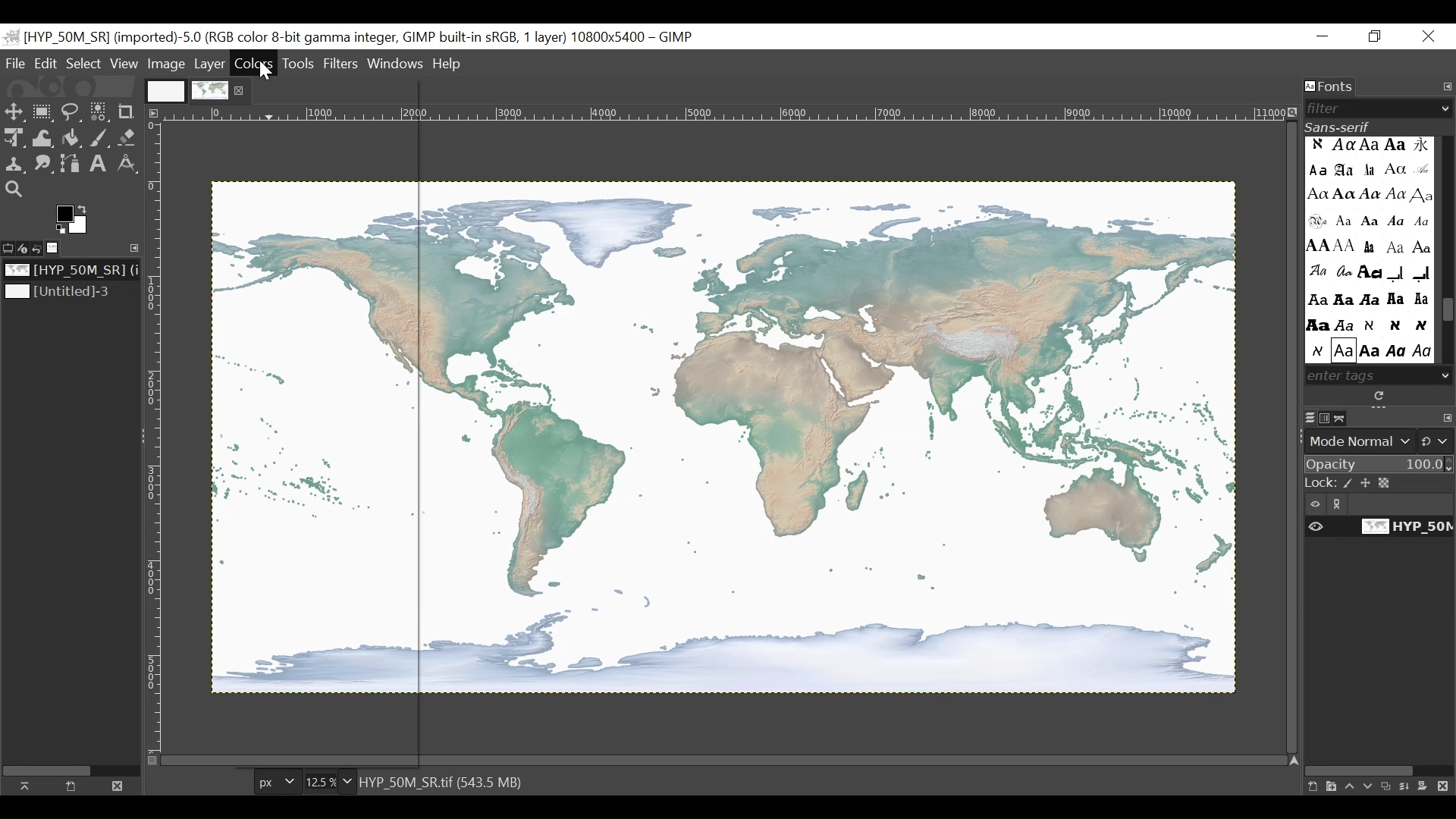  I want to click on Zoom Factor, so click(325, 782).